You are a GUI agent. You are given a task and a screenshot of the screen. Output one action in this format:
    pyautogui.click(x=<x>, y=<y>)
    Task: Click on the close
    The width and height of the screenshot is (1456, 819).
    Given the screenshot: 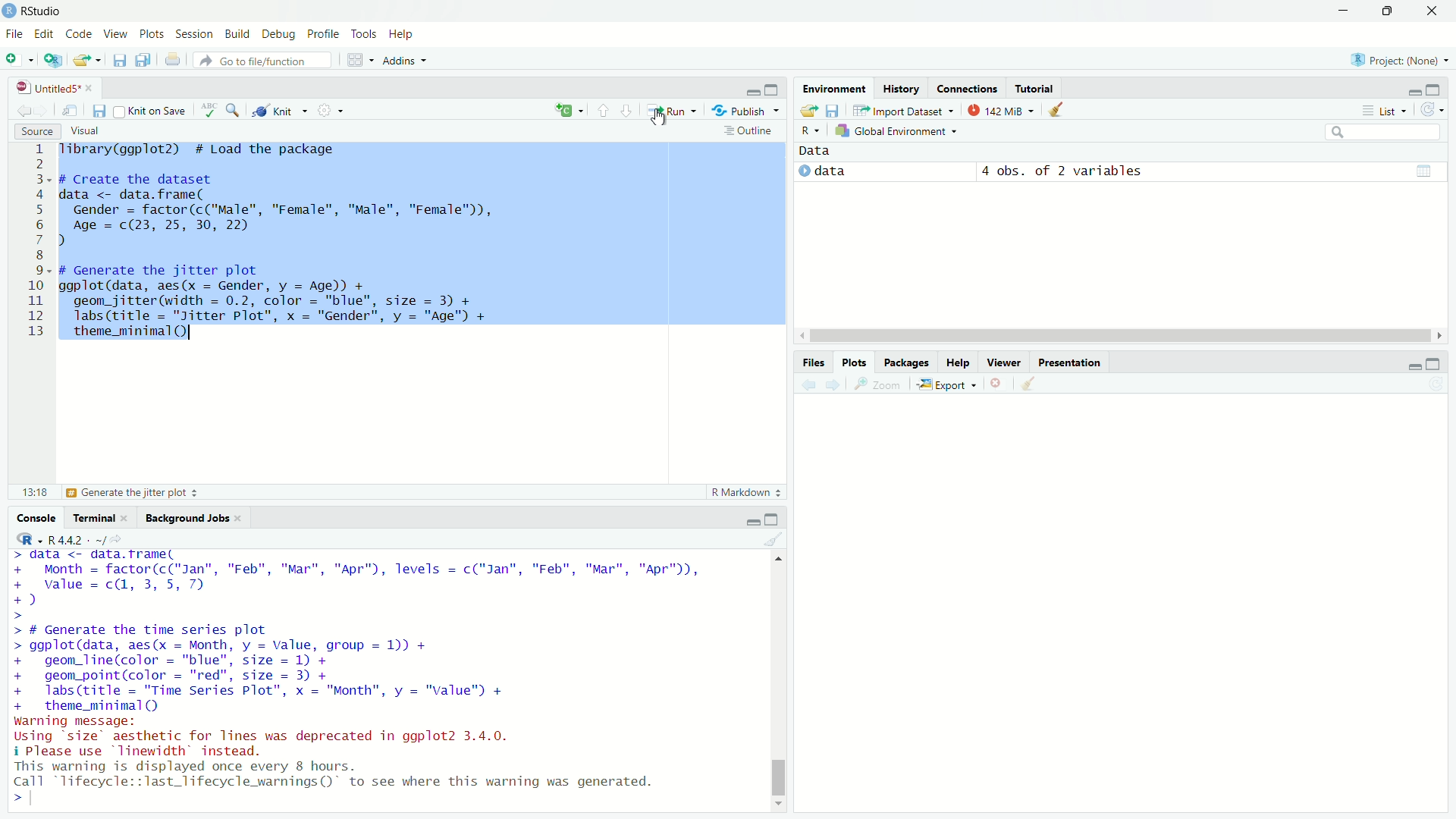 What is the action you would take?
    pyautogui.click(x=1436, y=11)
    